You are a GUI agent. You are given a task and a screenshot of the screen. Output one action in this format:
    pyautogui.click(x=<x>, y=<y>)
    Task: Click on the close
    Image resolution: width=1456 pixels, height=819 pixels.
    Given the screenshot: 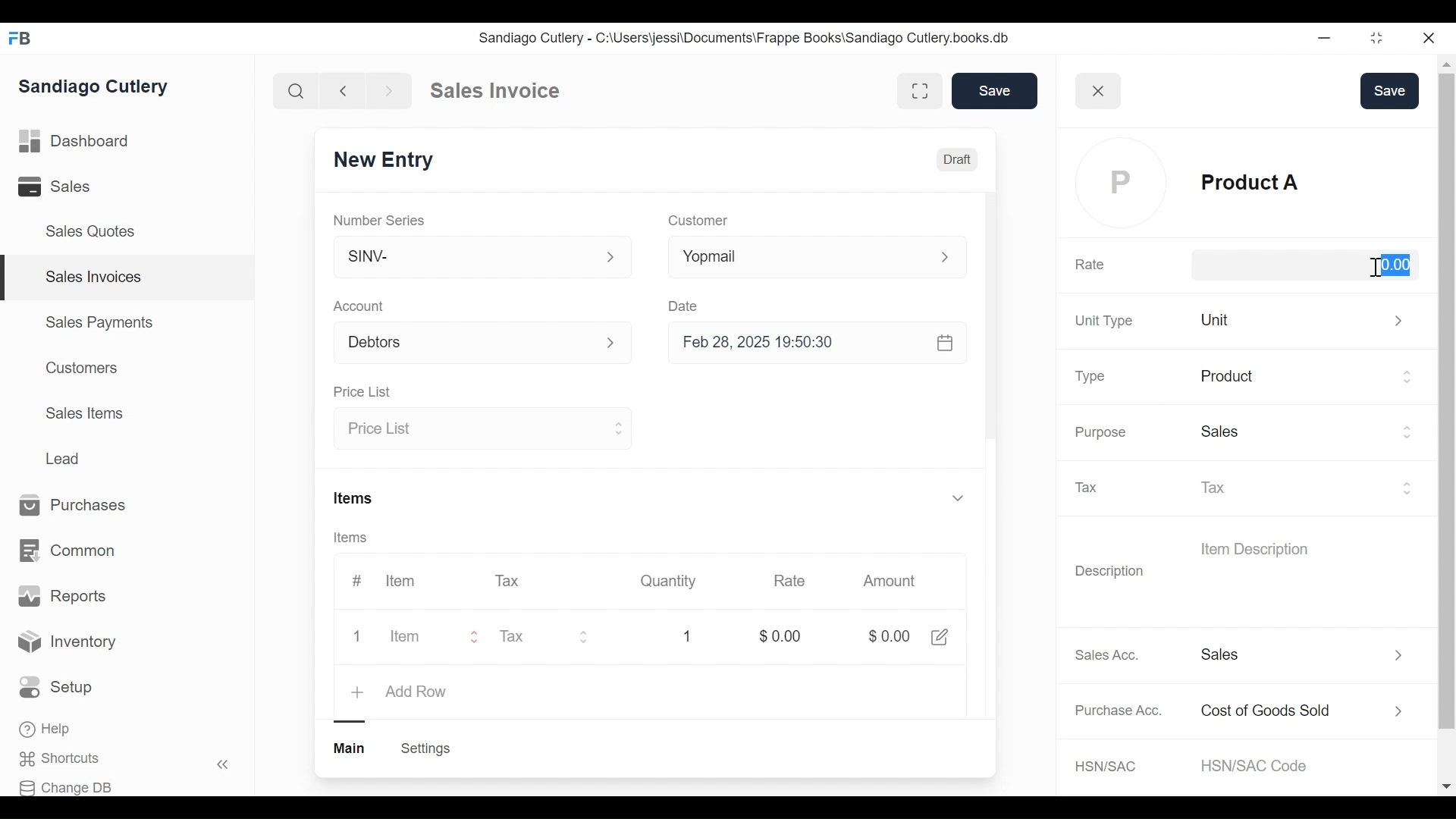 What is the action you would take?
    pyautogui.click(x=1430, y=39)
    